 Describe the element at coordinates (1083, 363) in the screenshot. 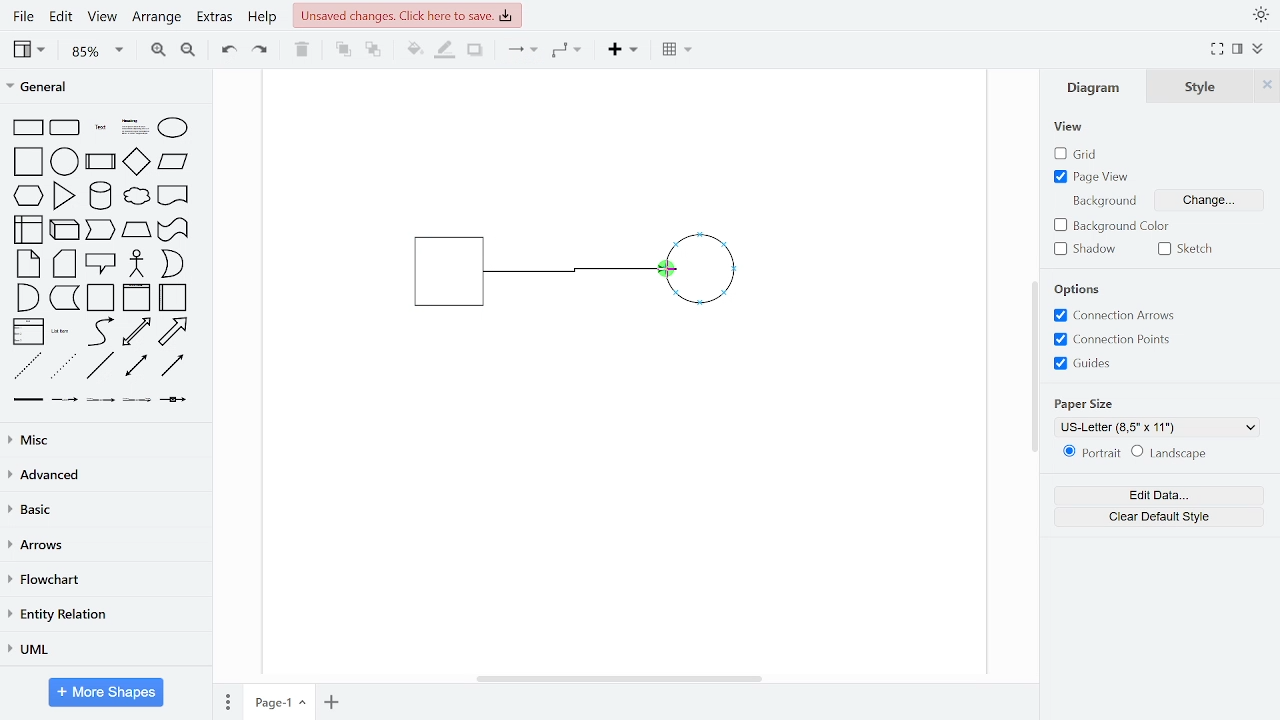

I see `guides` at that location.